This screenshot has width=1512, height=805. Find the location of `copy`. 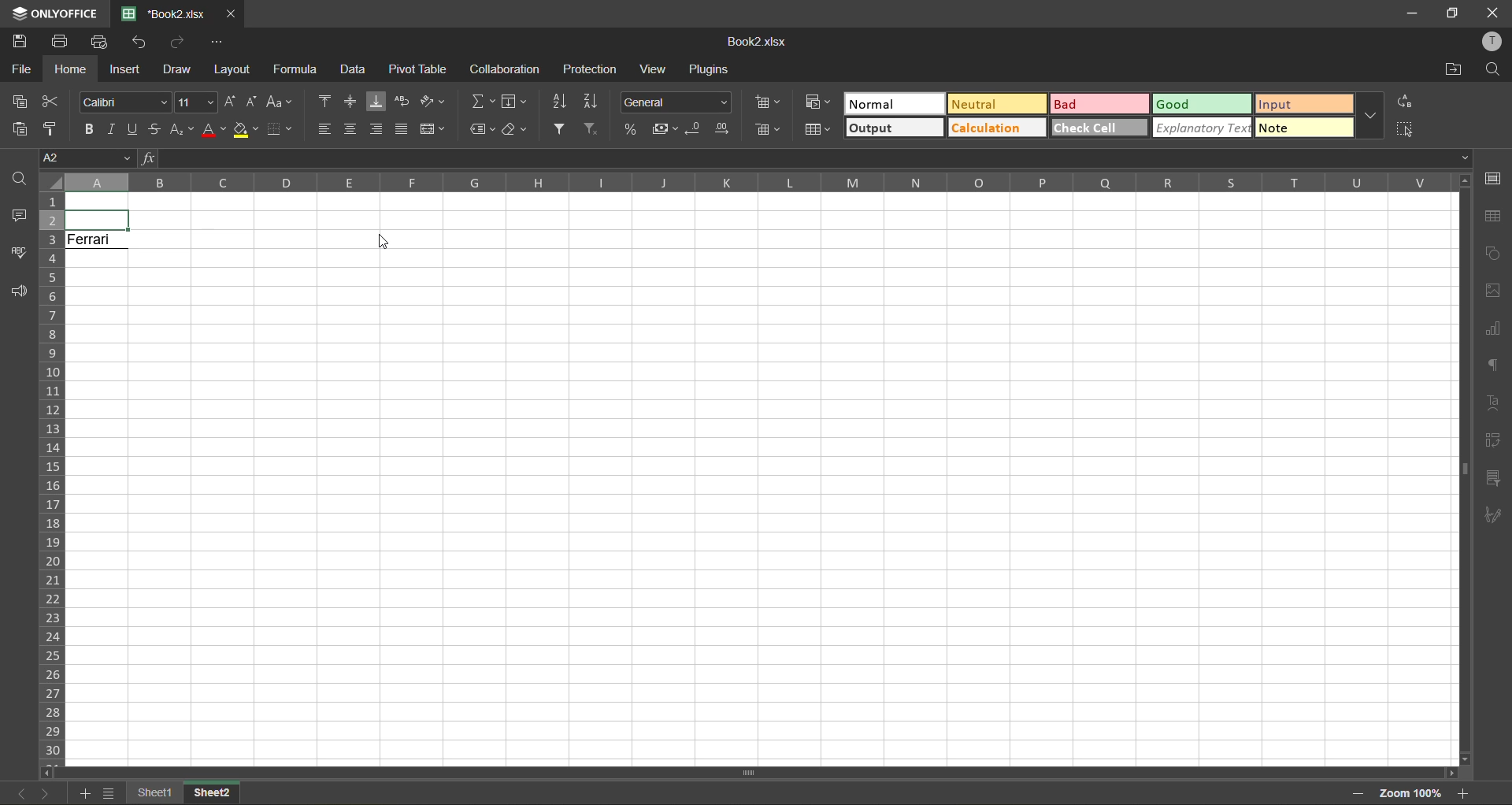

copy is located at coordinates (20, 102).